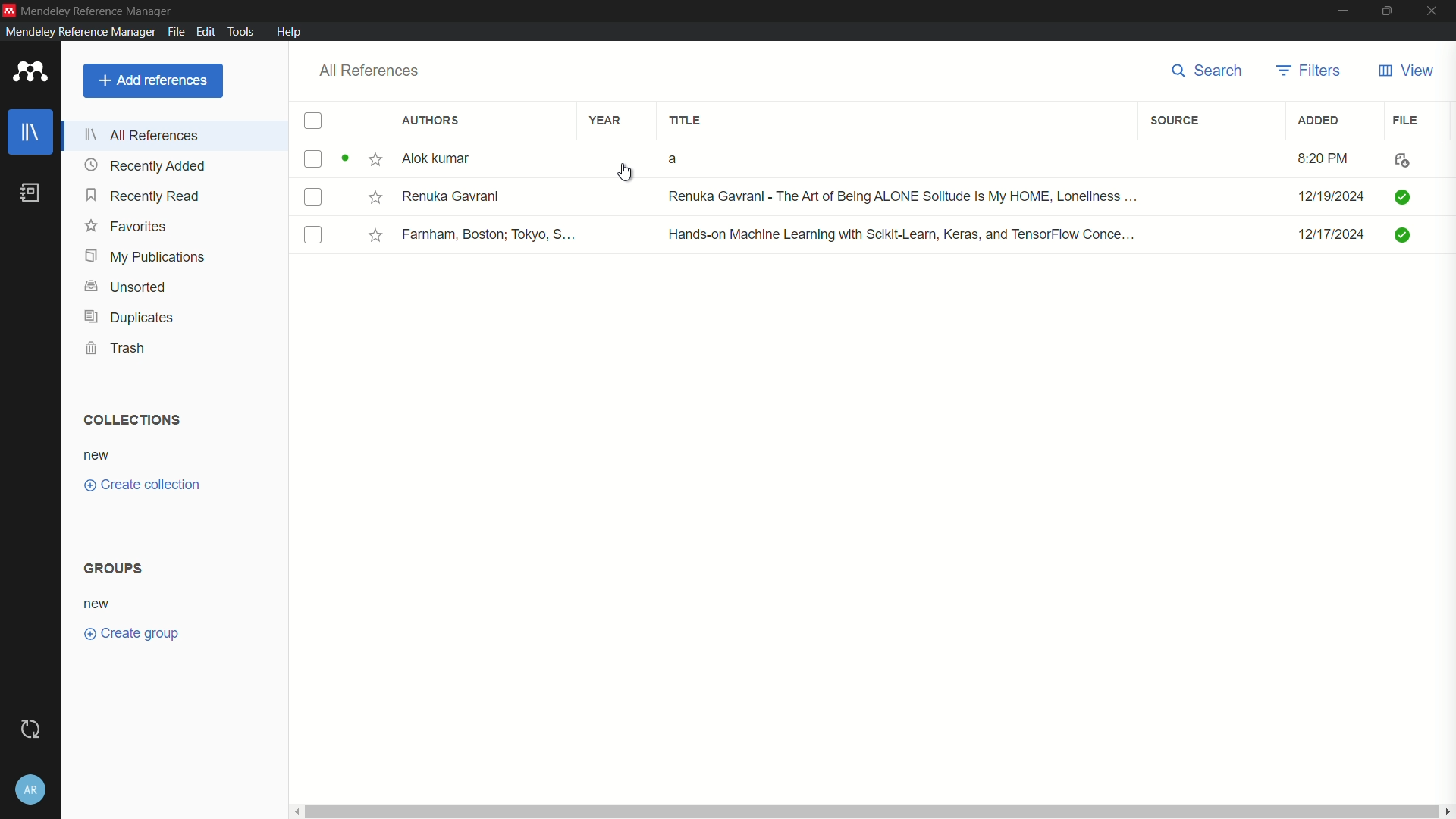 This screenshot has width=1456, height=819. What do you see at coordinates (33, 193) in the screenshot?
I see `book` at bounding box center [33, 193].